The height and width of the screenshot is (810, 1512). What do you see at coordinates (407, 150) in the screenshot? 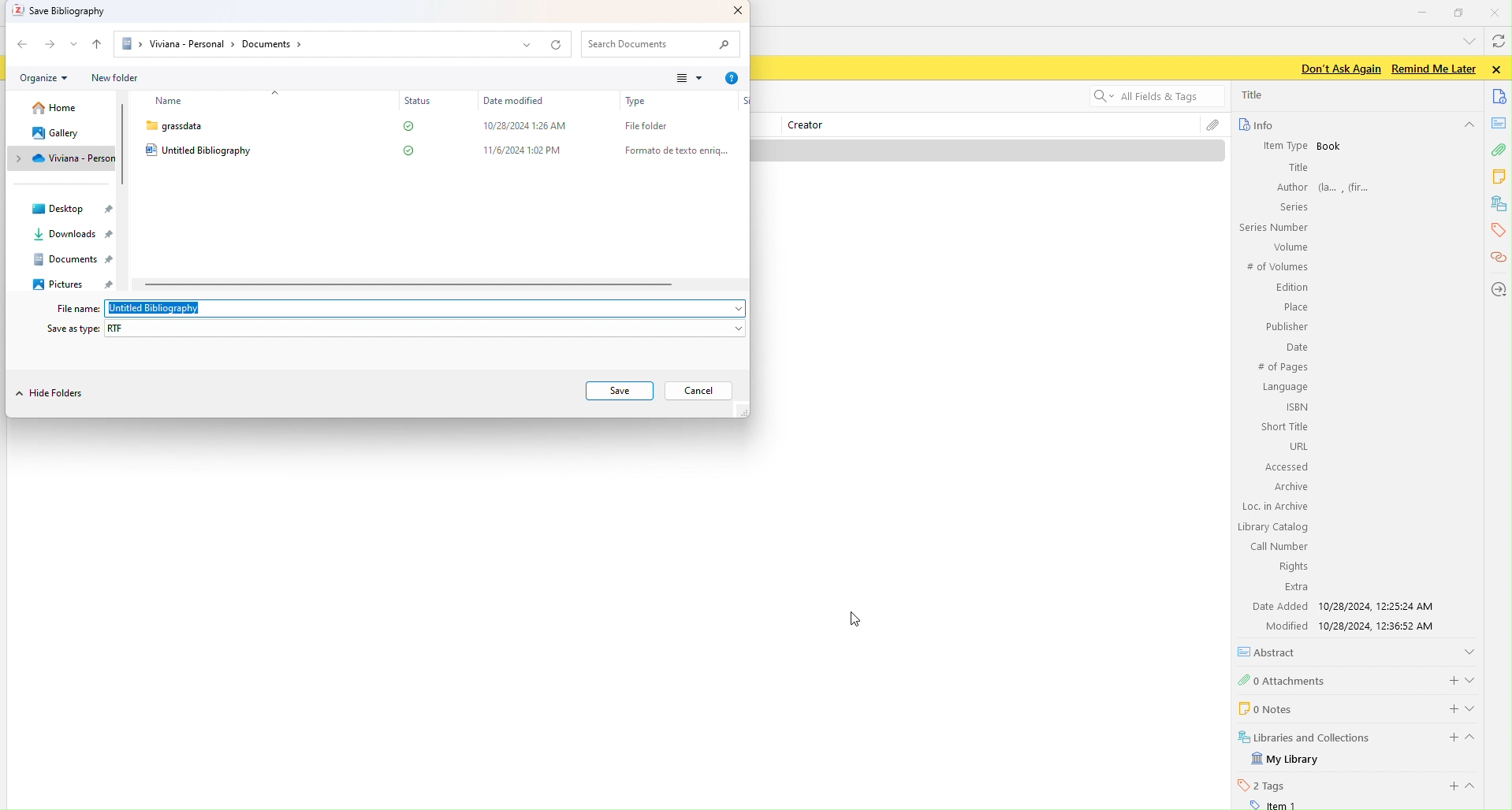
I see `Check` at bounding box center [407, 150].